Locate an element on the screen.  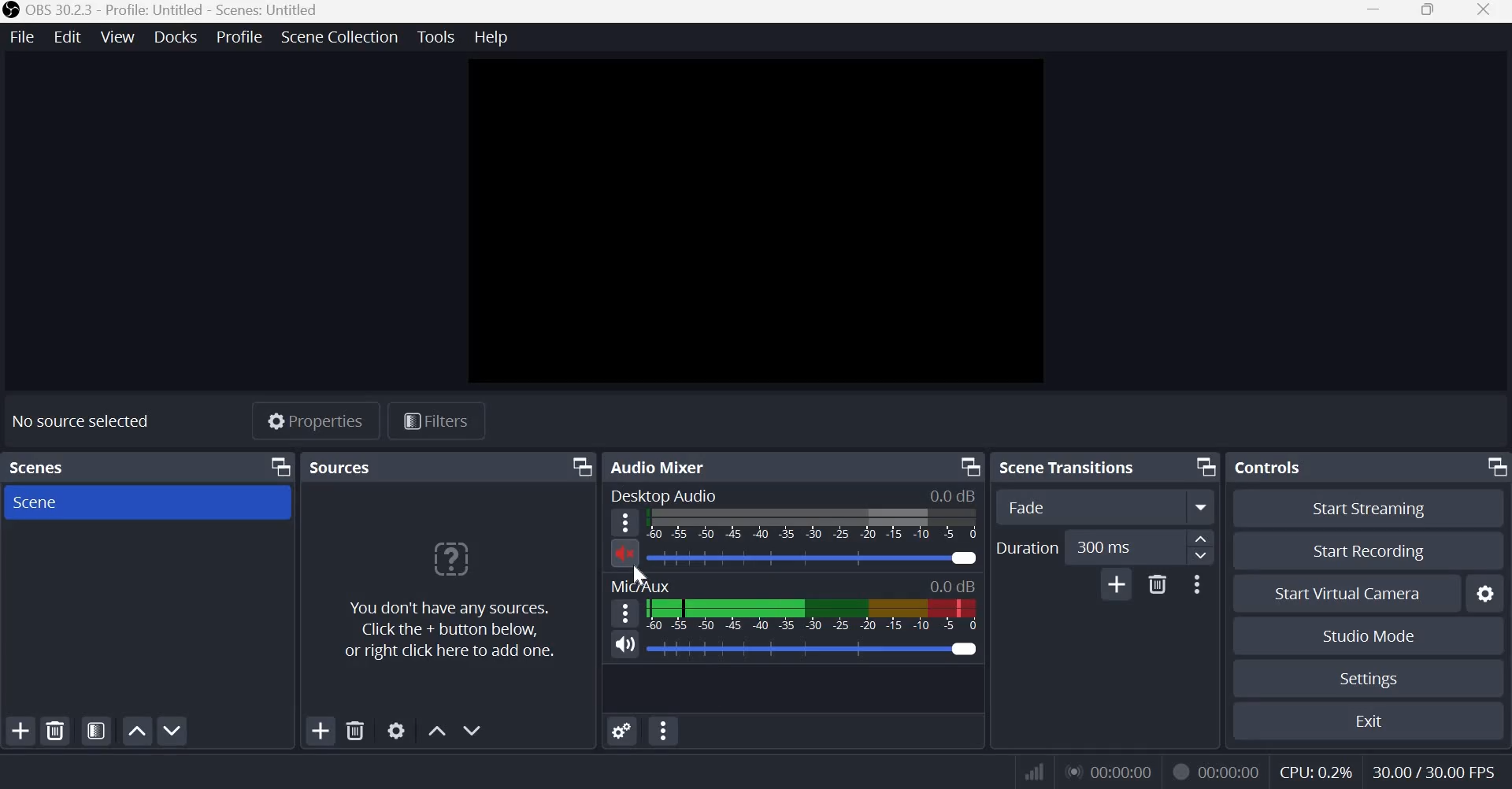
Transition Type Dropdown is located at coordinates (1102, 507).